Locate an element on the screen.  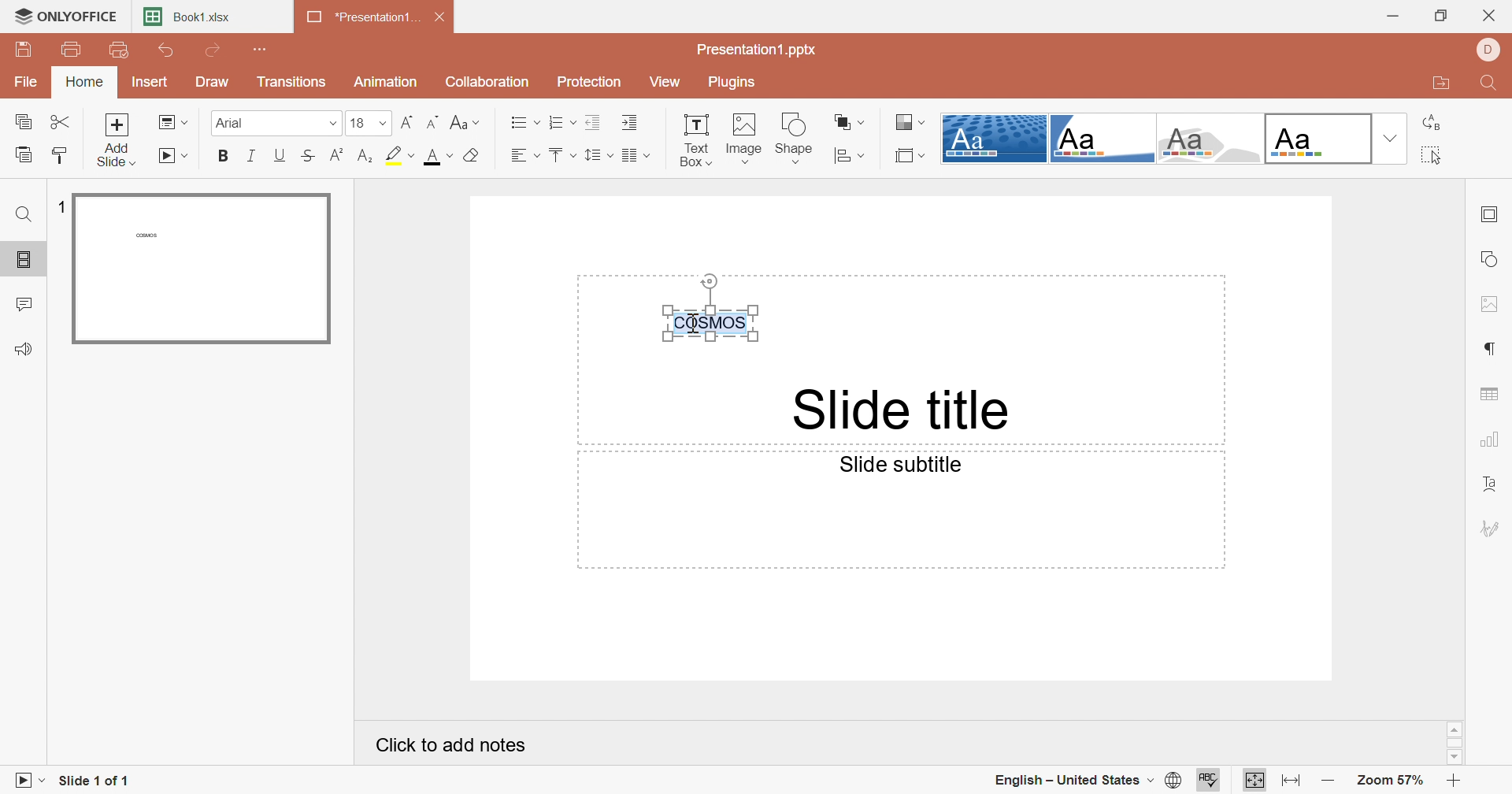
Fit to slide is located at coordinates (1253, 778).